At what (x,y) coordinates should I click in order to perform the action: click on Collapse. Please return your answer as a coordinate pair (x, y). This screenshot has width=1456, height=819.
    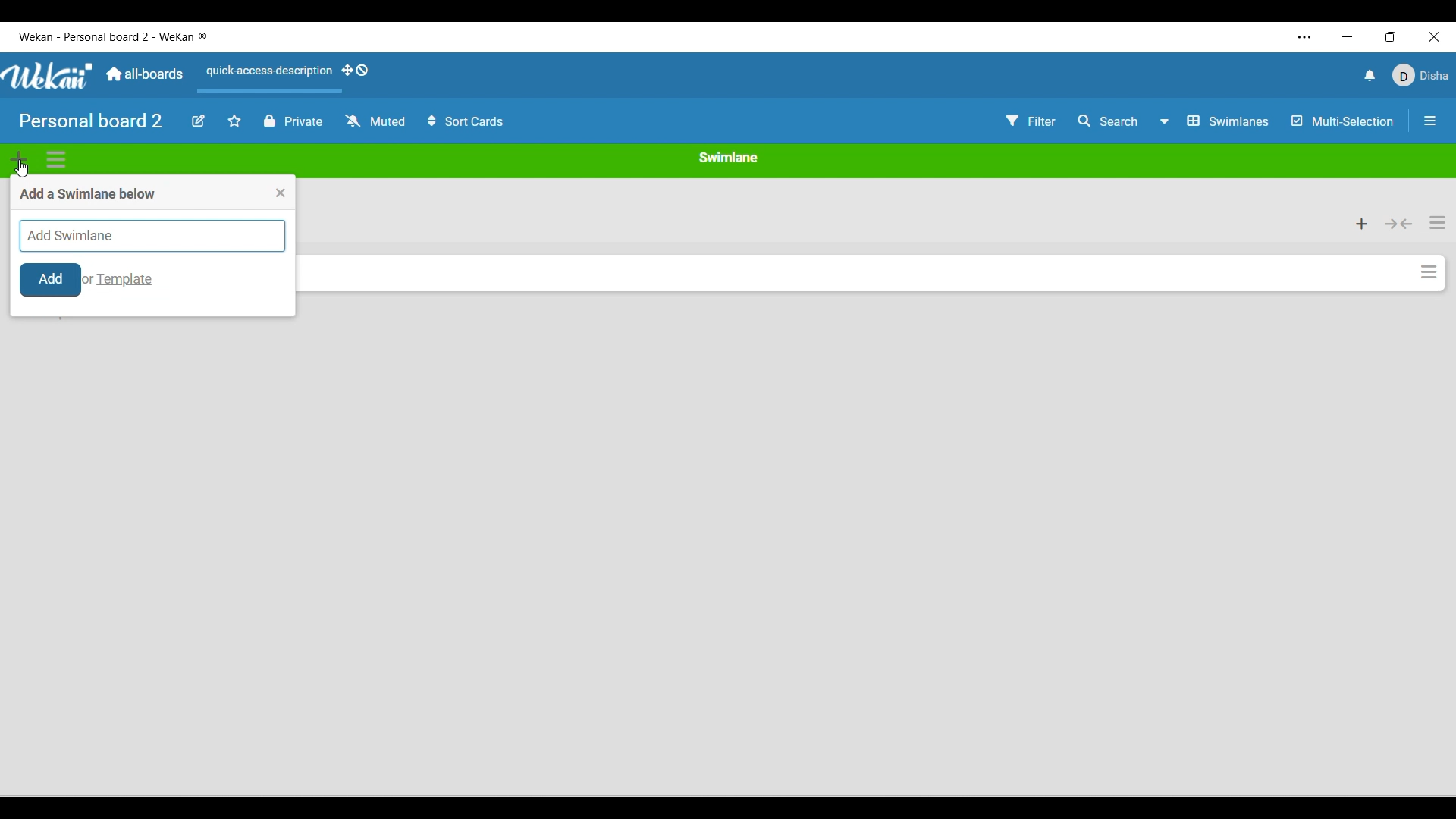
    Looking at the image, I should click on (1399, 224).